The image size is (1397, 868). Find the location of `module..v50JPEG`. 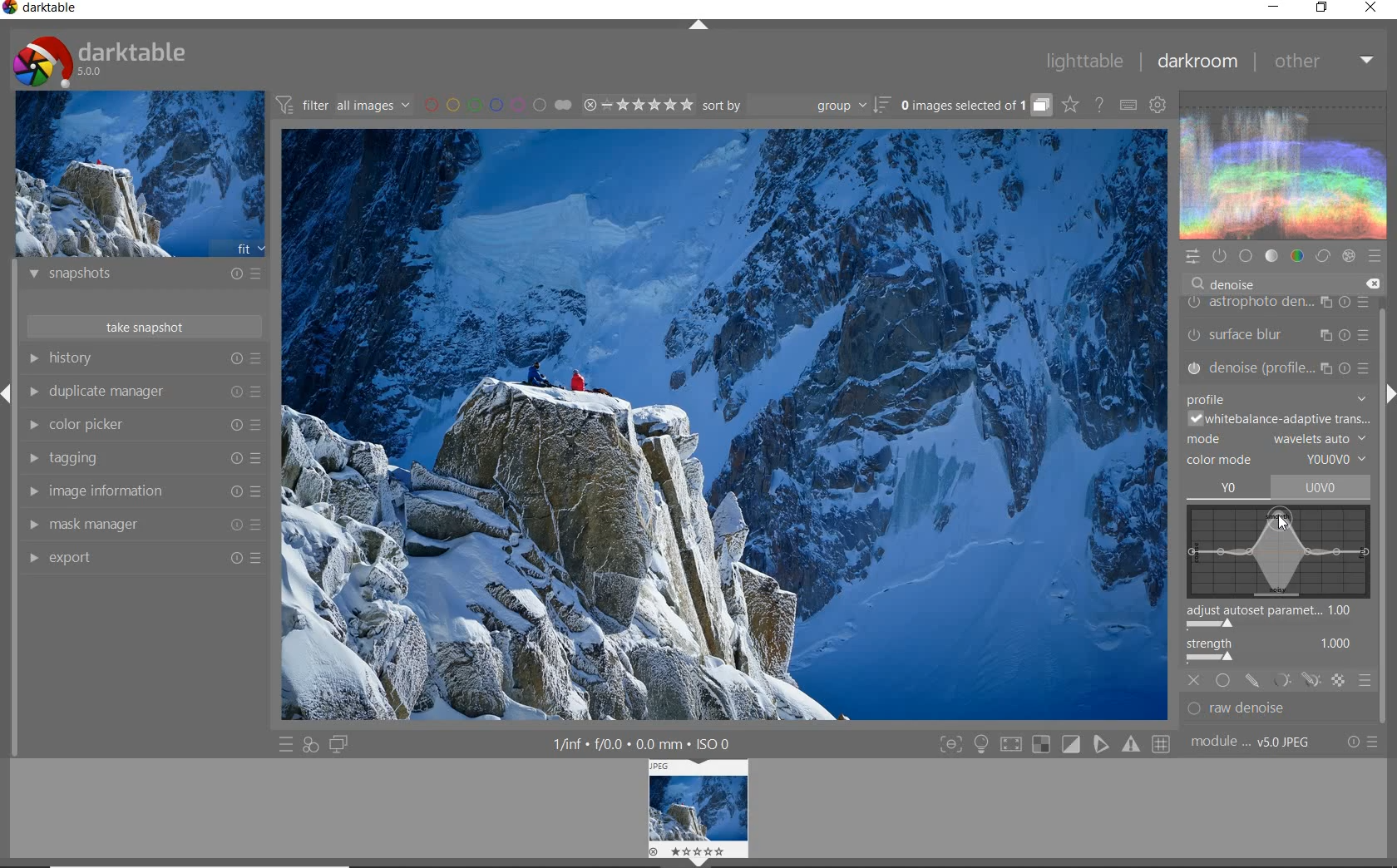

module..v50JPEG is located at coordinates (1255, 742).